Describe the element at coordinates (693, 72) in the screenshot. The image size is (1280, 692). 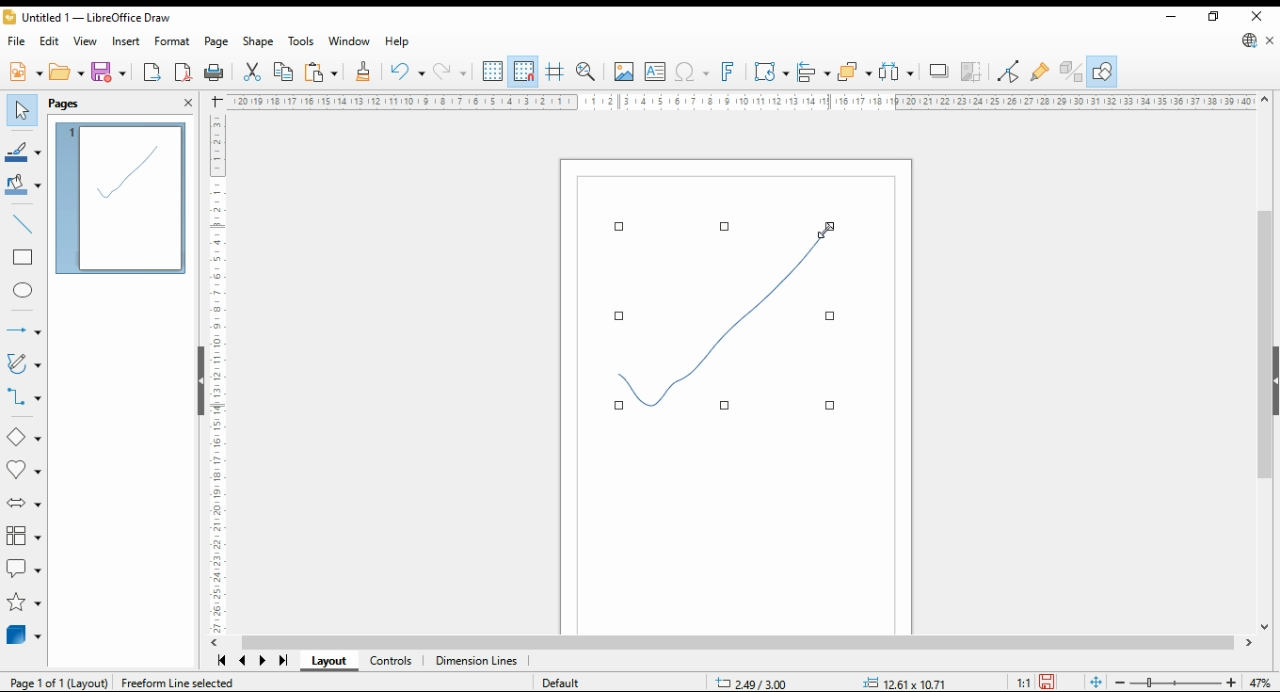
I see `insert special character` at that location.